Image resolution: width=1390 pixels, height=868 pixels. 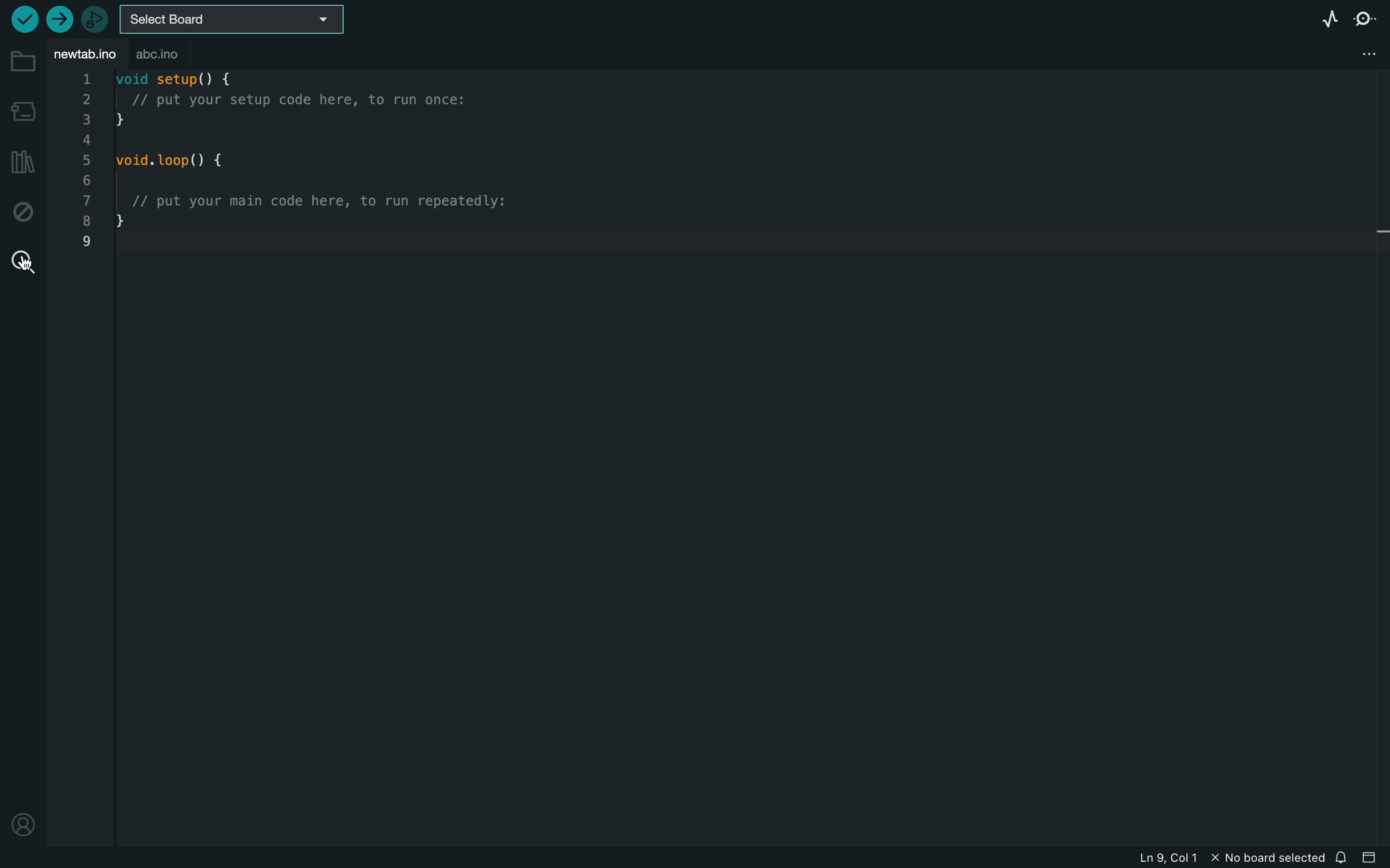 What do you see at coordinates (59, 20) in the screenshot?
I see `upload` at bounding box center [59, 20].